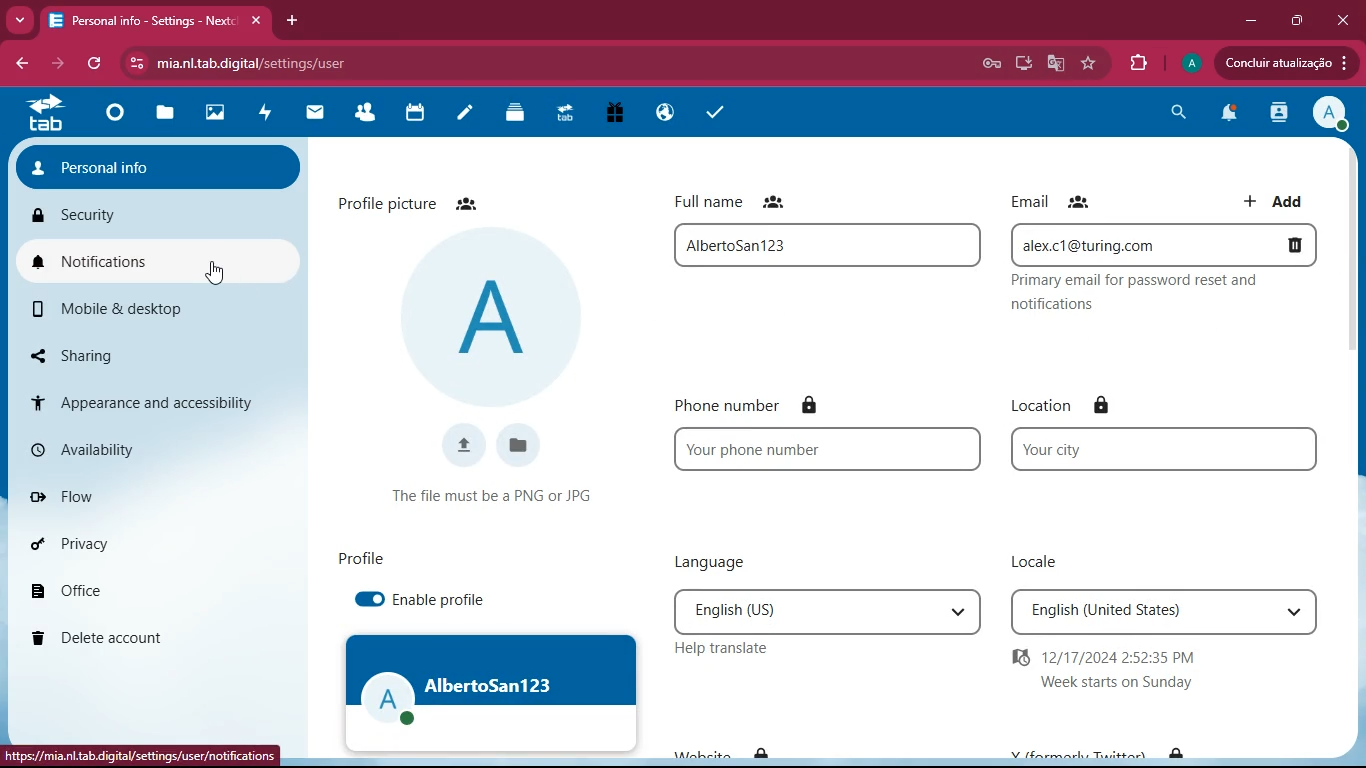 The height and width of the screenshot is (768, 1366). What do you see at coordinates (517, 444) in the screenshot?
I see `files` at bounding box center [517, 444].